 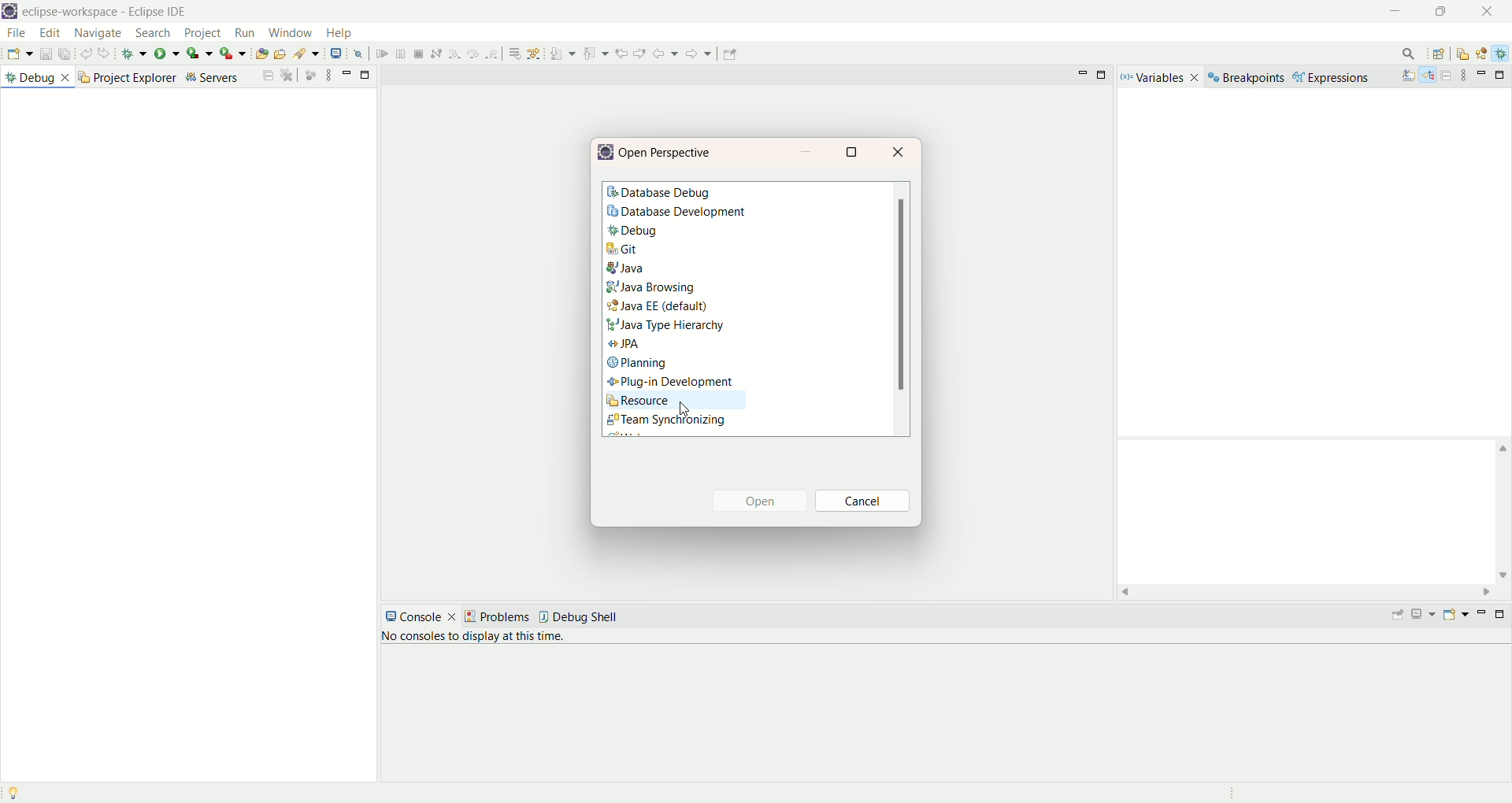 What do you see at coordinates (106, 54) in the screenshot?
I see `redo` at bounding box center [106, 54].